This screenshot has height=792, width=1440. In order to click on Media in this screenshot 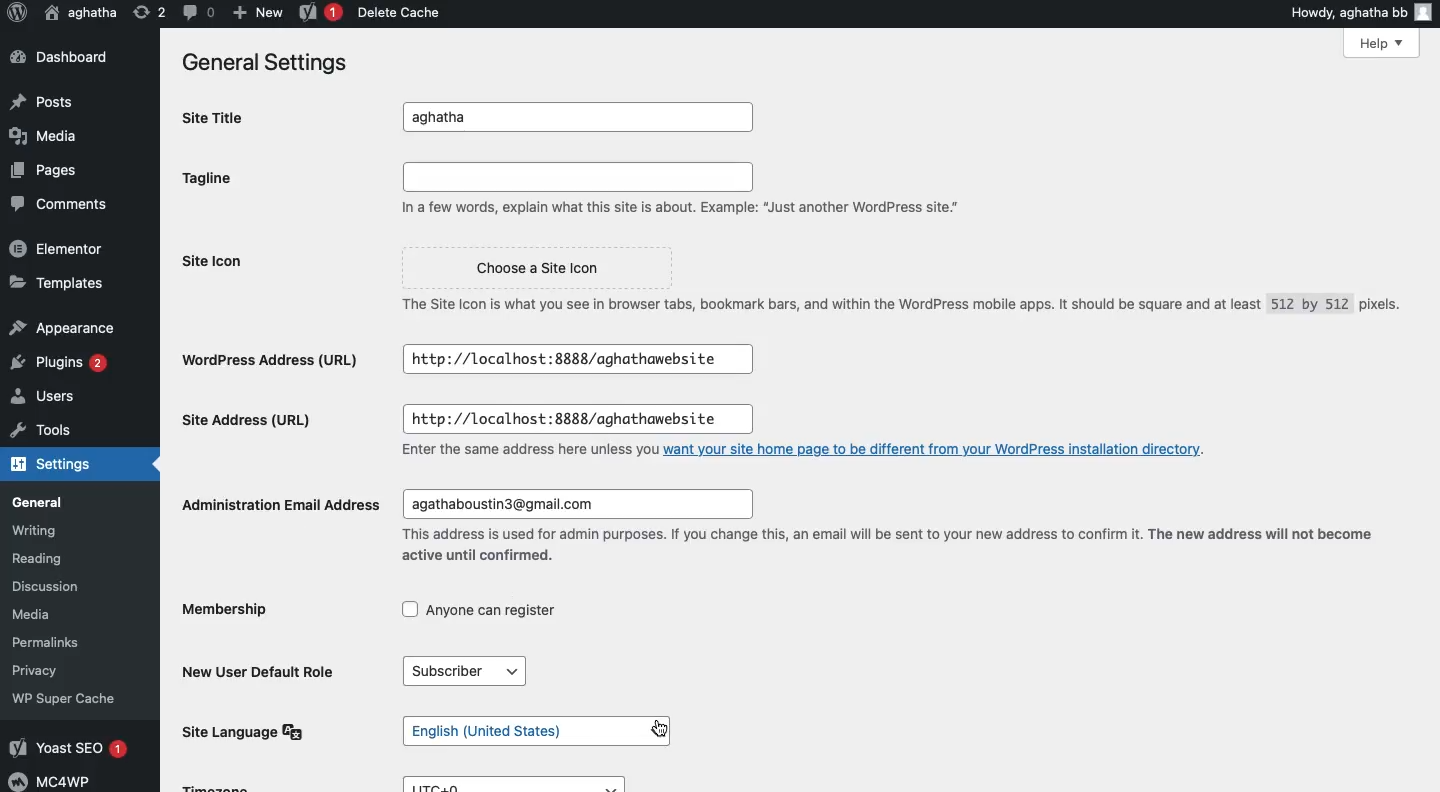, I will do `click(45, 137)`.